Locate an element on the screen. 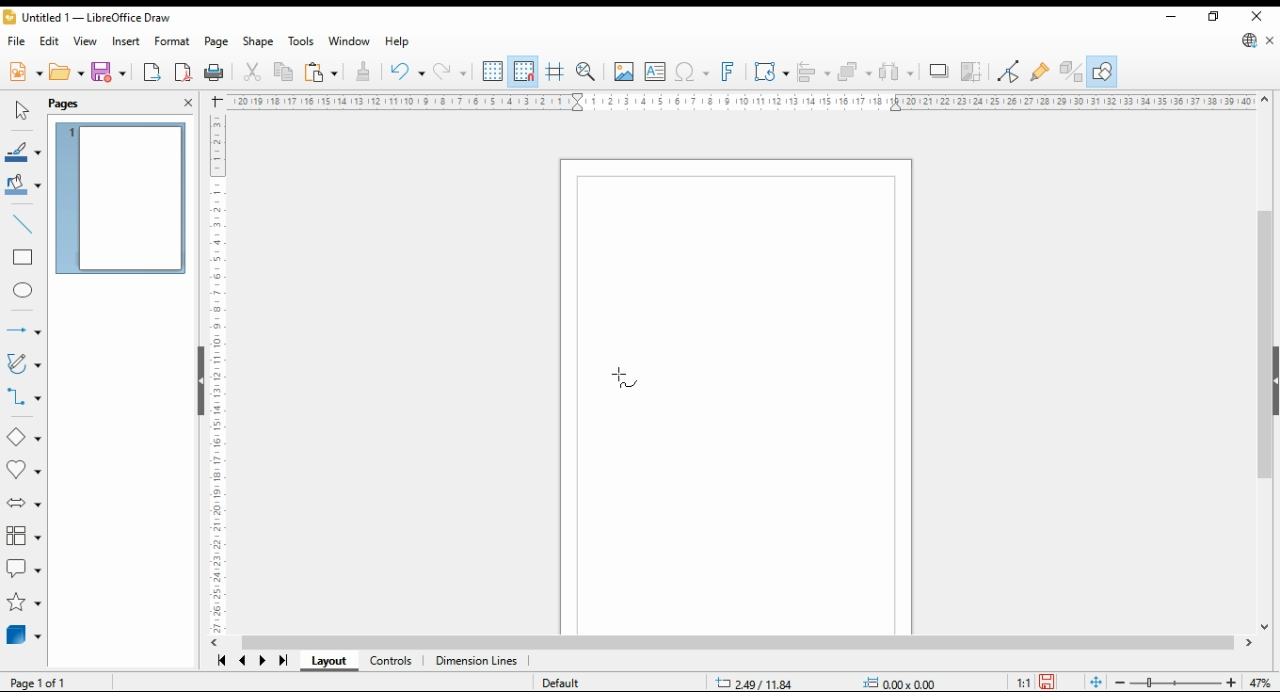  ellipse is located at coordinates (22, 292).